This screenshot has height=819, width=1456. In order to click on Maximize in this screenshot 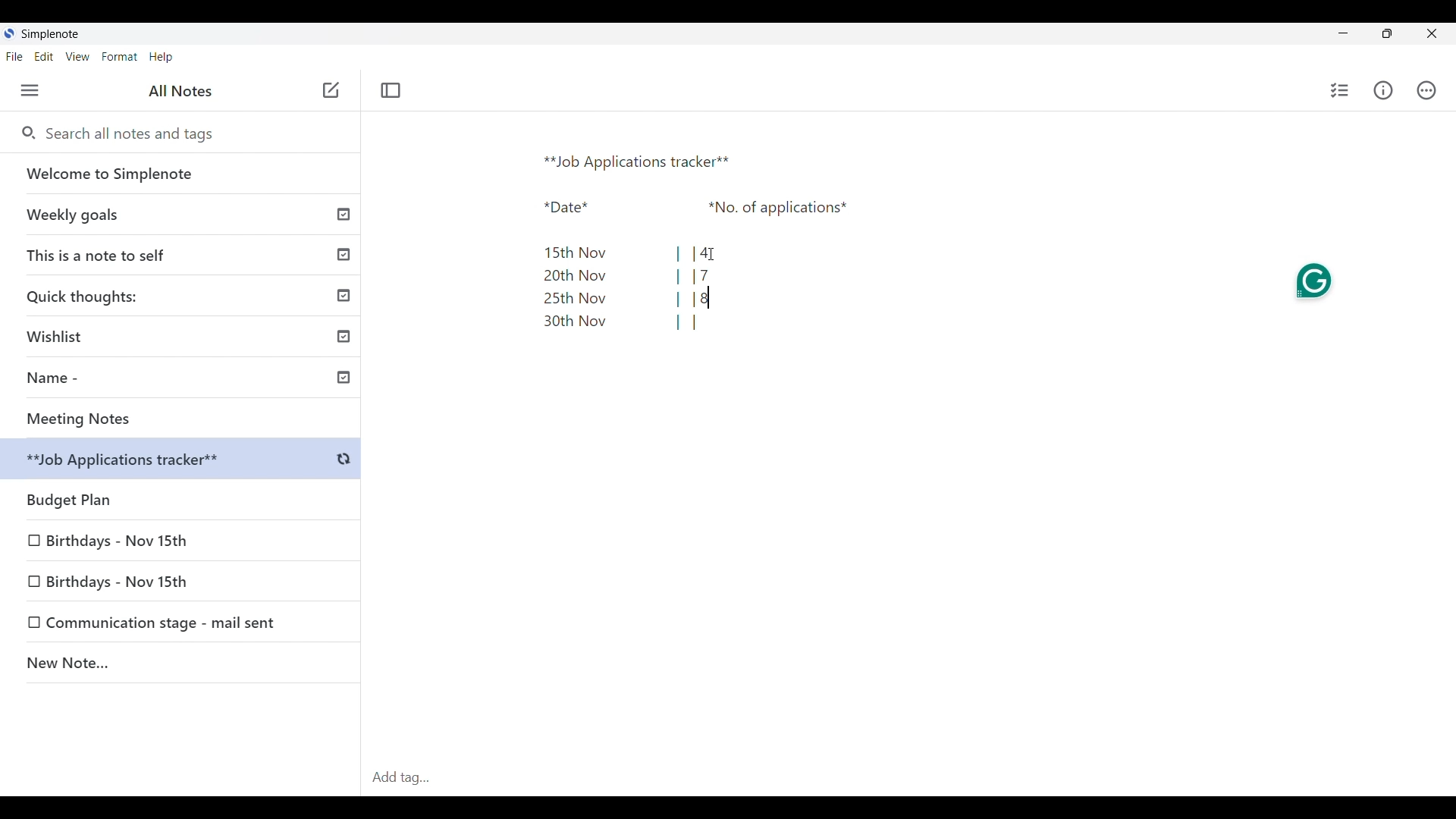, I will do `click(1387, 33)`.